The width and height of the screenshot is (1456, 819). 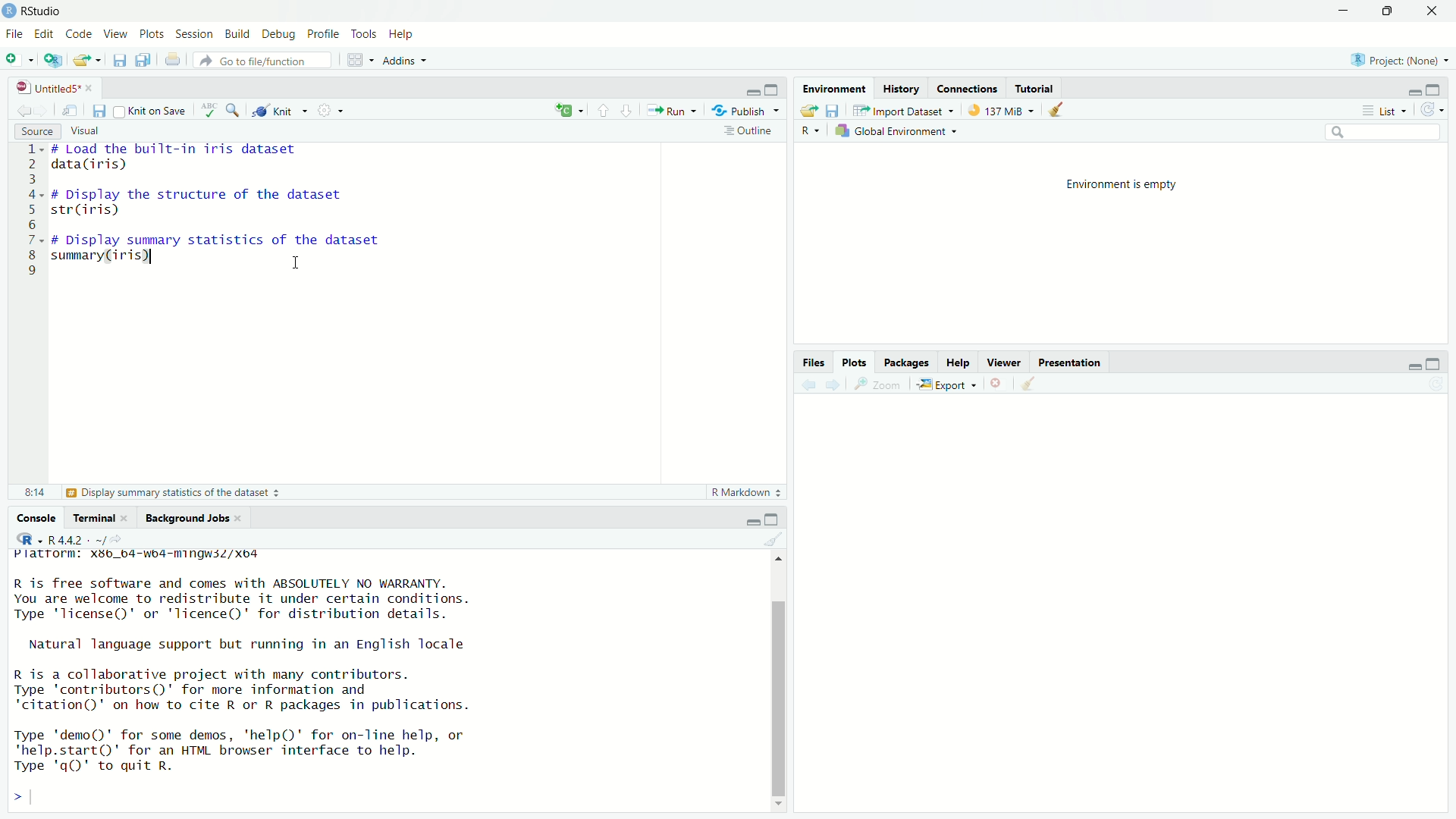 What do you see at coordinates (366, 34) in the screenshot?
I see `Tools` at bounding box center [366, 34].